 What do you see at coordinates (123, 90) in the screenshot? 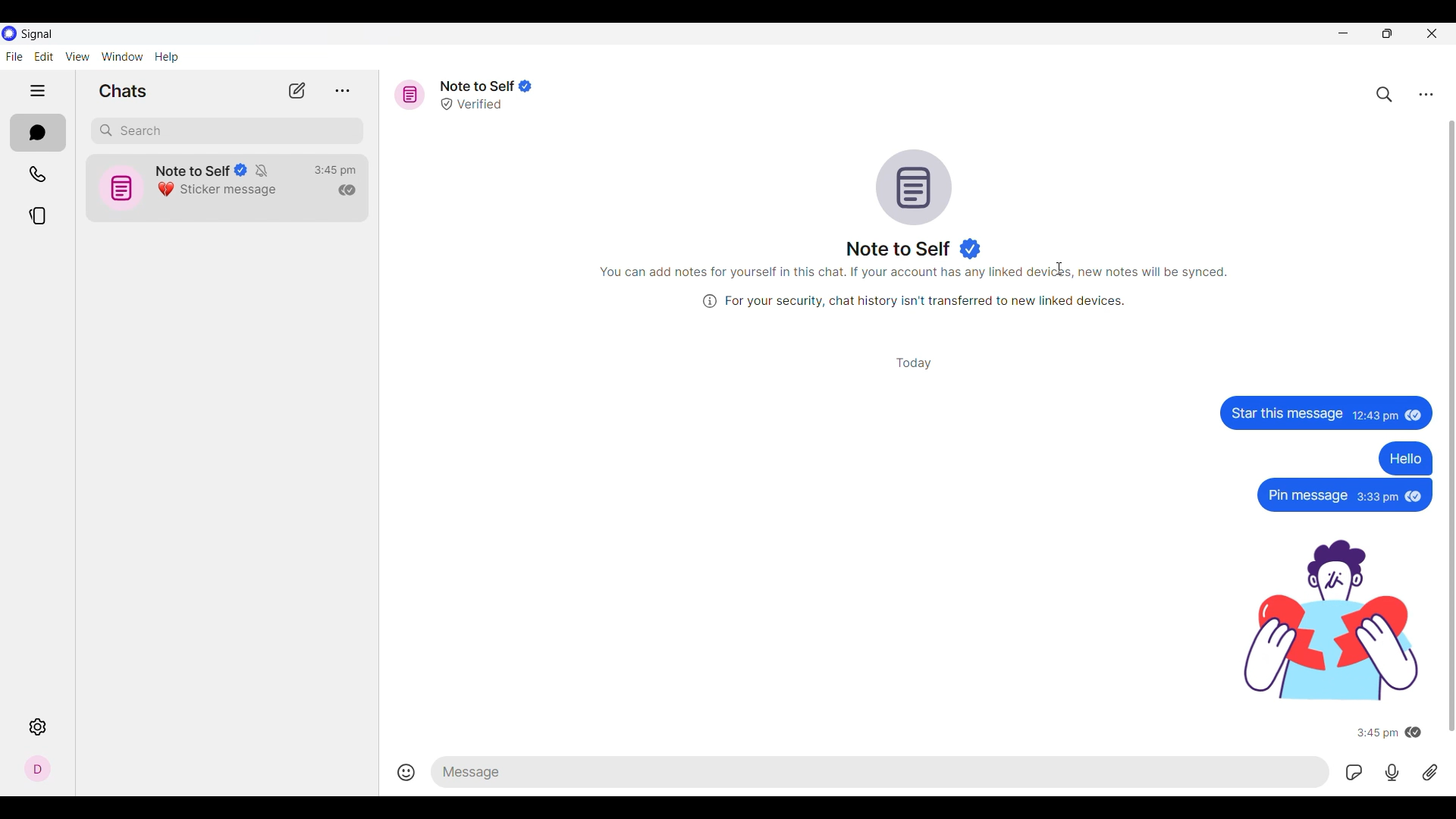
I see `Section title` at bounding box center [123, 90].